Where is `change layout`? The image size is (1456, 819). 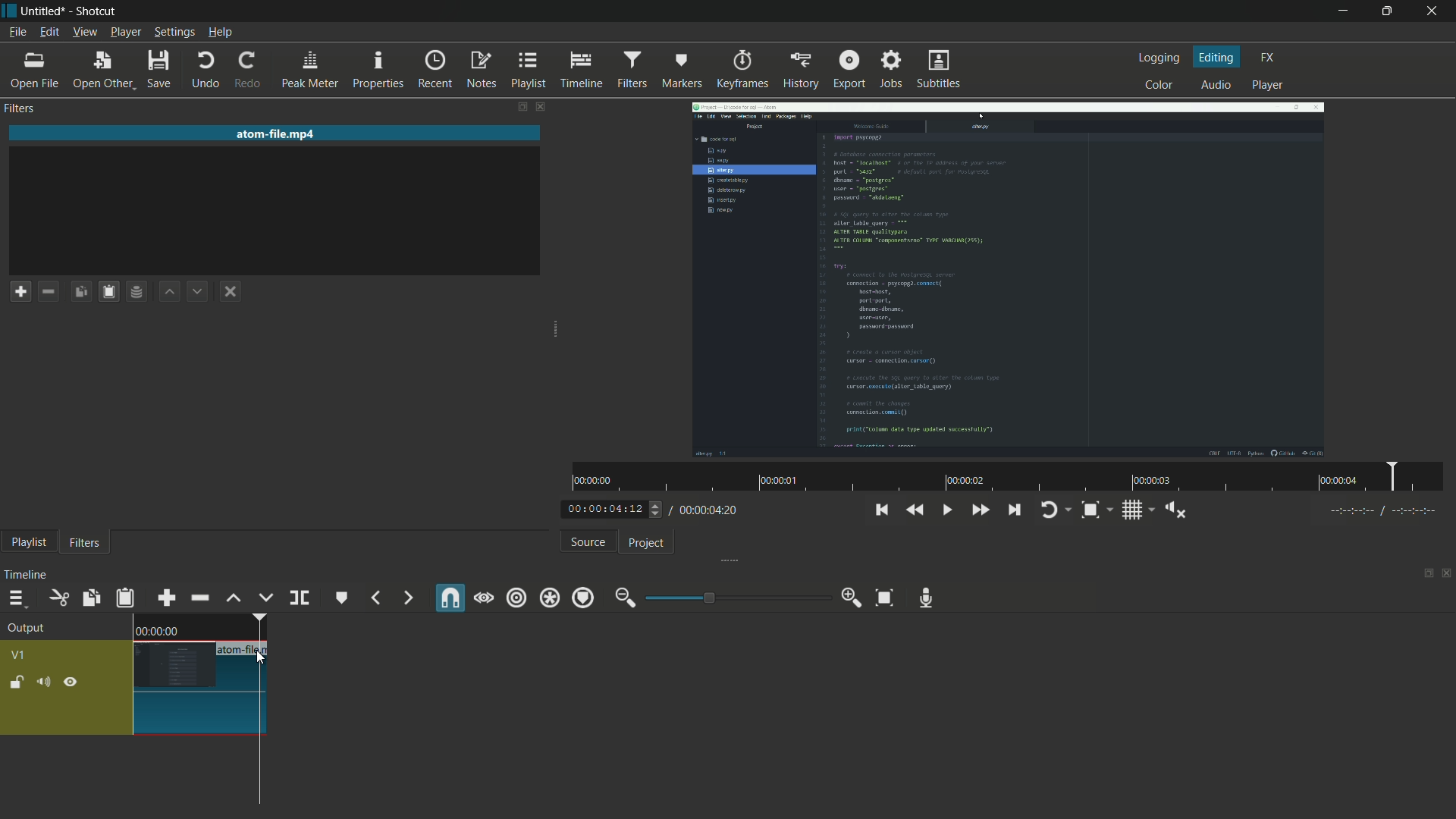 change layout is located at coordinates (519, 107).